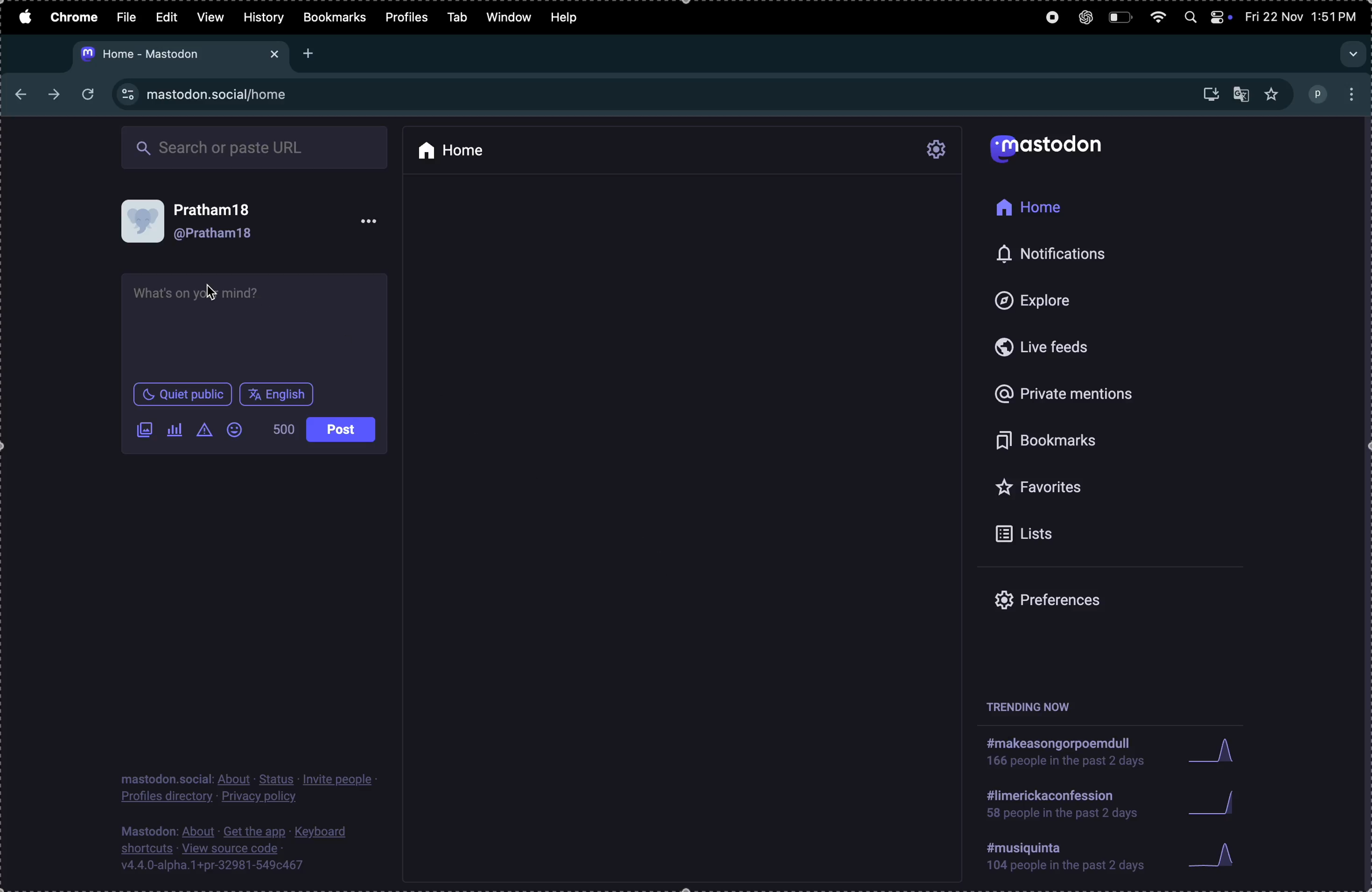 The height and width of the screenshot is (892, 1372). Describe the element at coordinates (1062, 752) in the screenshot. I see `hashtag` at that location.